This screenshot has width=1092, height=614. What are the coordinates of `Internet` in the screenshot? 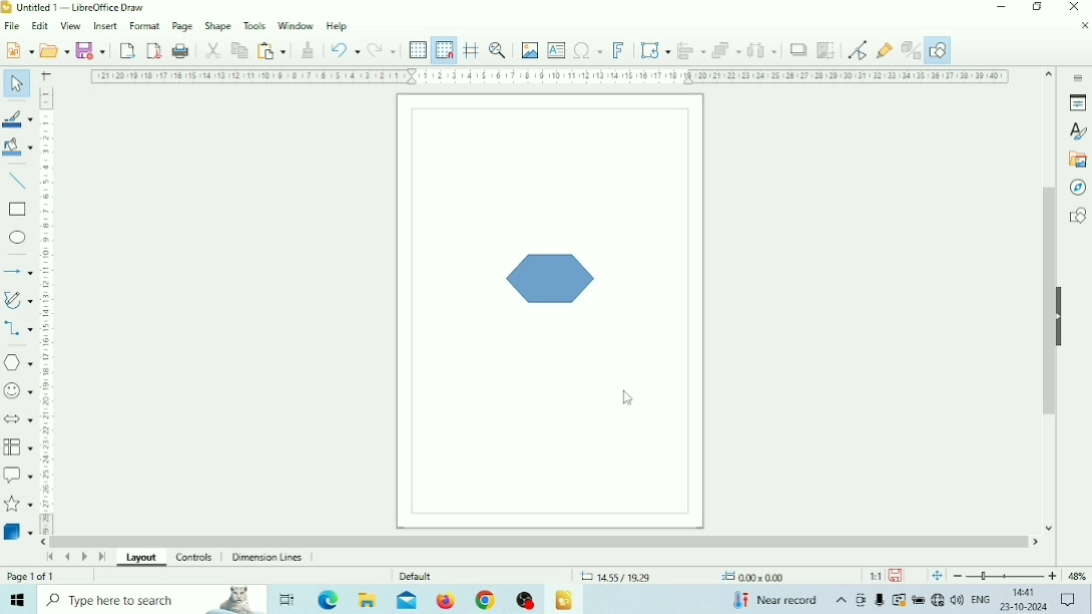 It's located at (937, 600).